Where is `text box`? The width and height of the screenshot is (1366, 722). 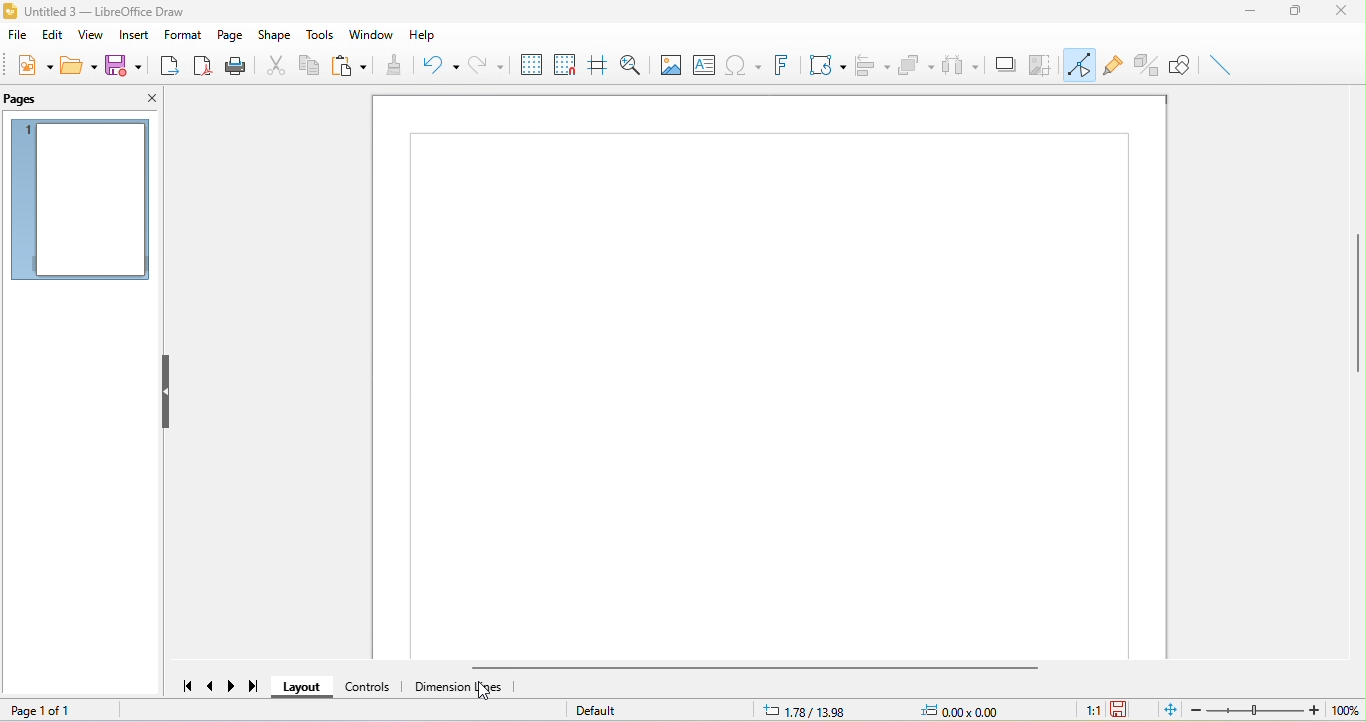
text box is located at coordinates (702, 65).